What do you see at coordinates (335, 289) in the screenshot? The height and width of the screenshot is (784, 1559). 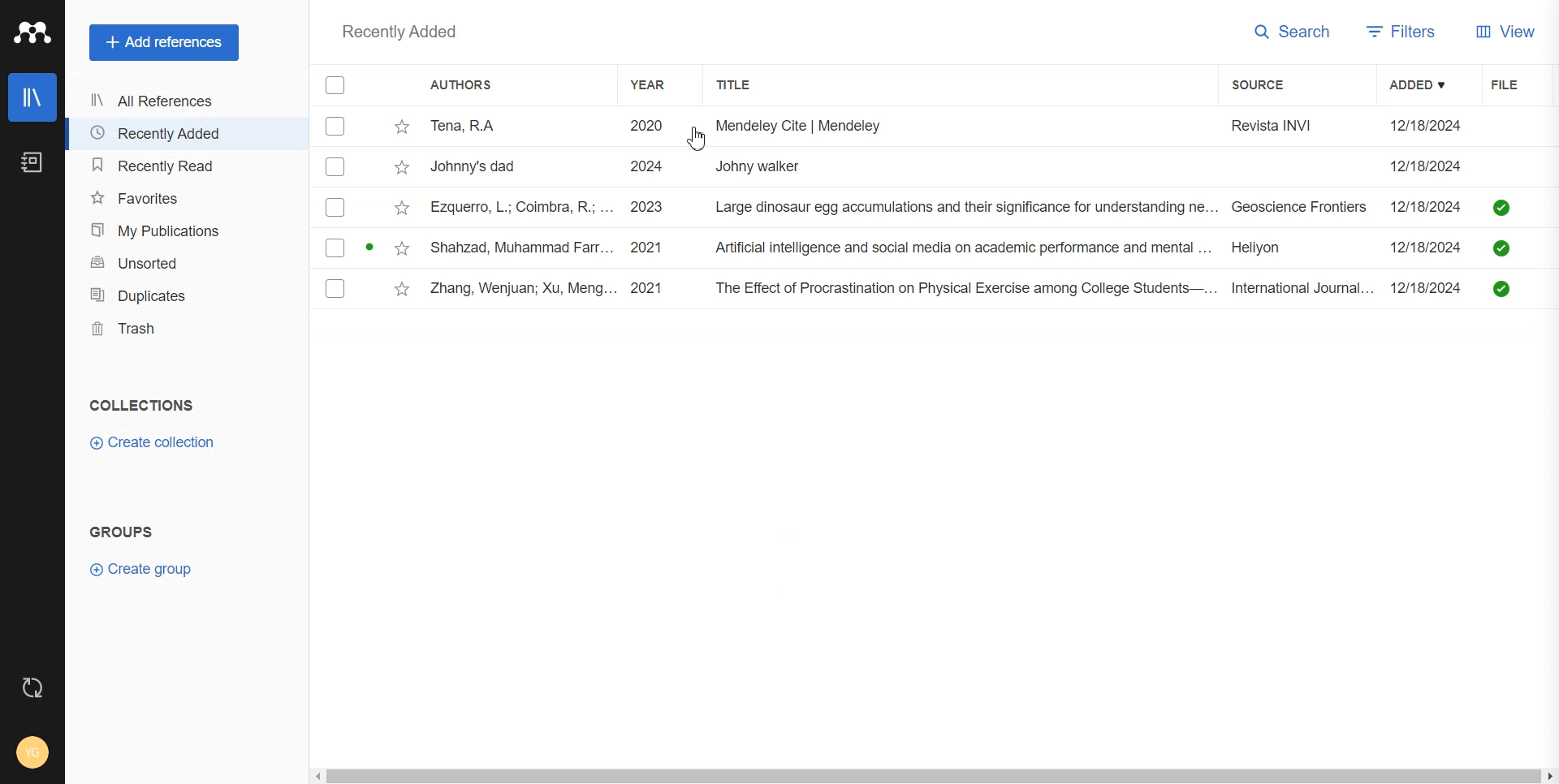 I see `Checkbox` at bounding box center [335, 289].